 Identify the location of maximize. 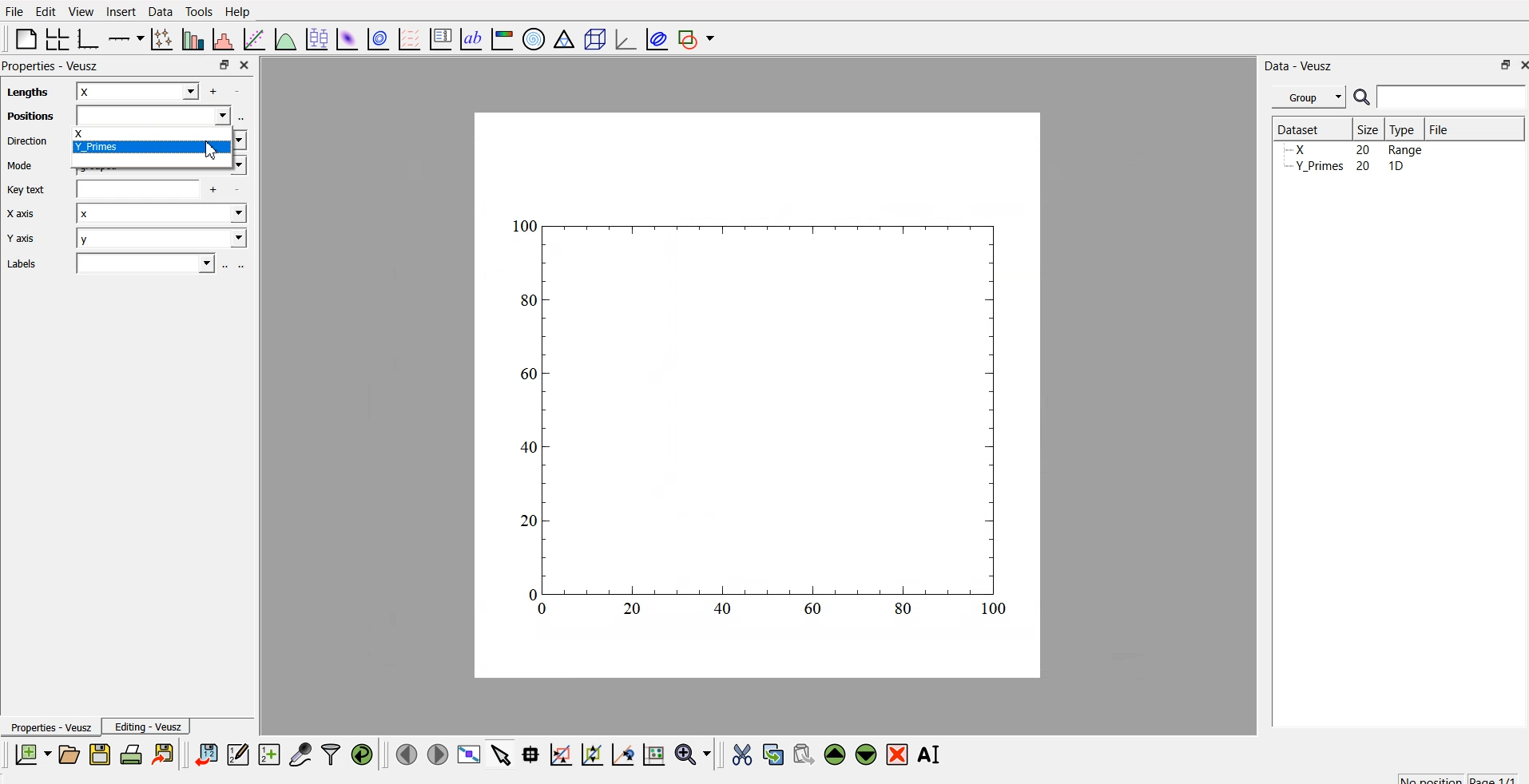
(1499, 65).